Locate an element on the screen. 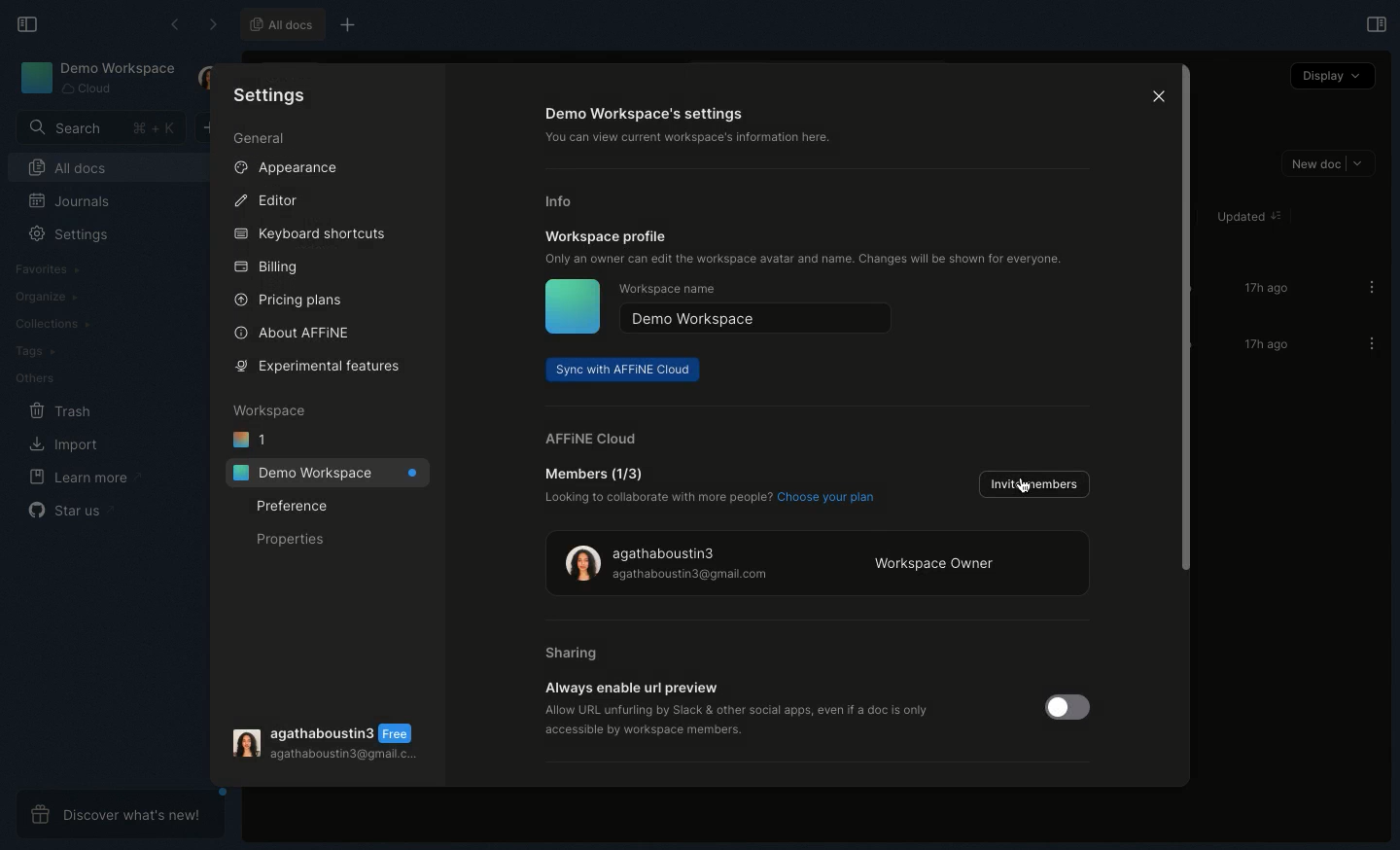 This screenshot has height=850, width=1400. Demo workspace is located at coordinates (97, 78).